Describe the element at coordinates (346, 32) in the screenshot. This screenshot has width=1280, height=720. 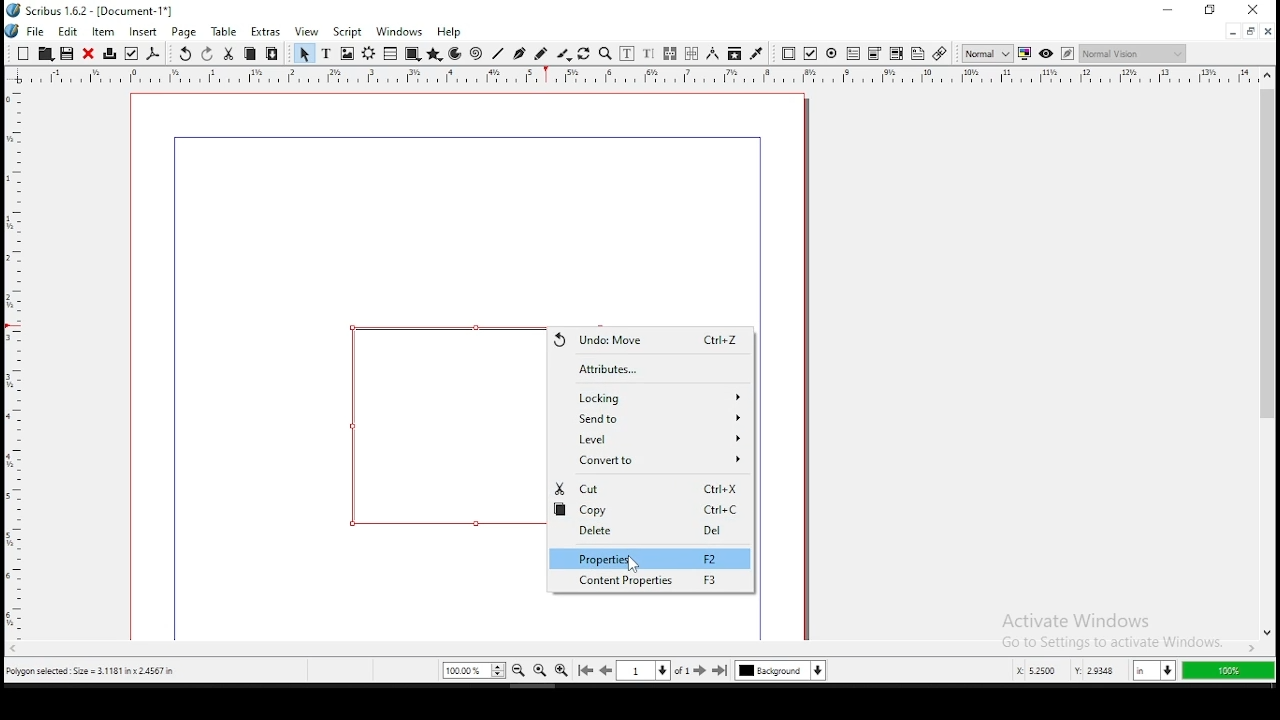
I see `script` at that location.